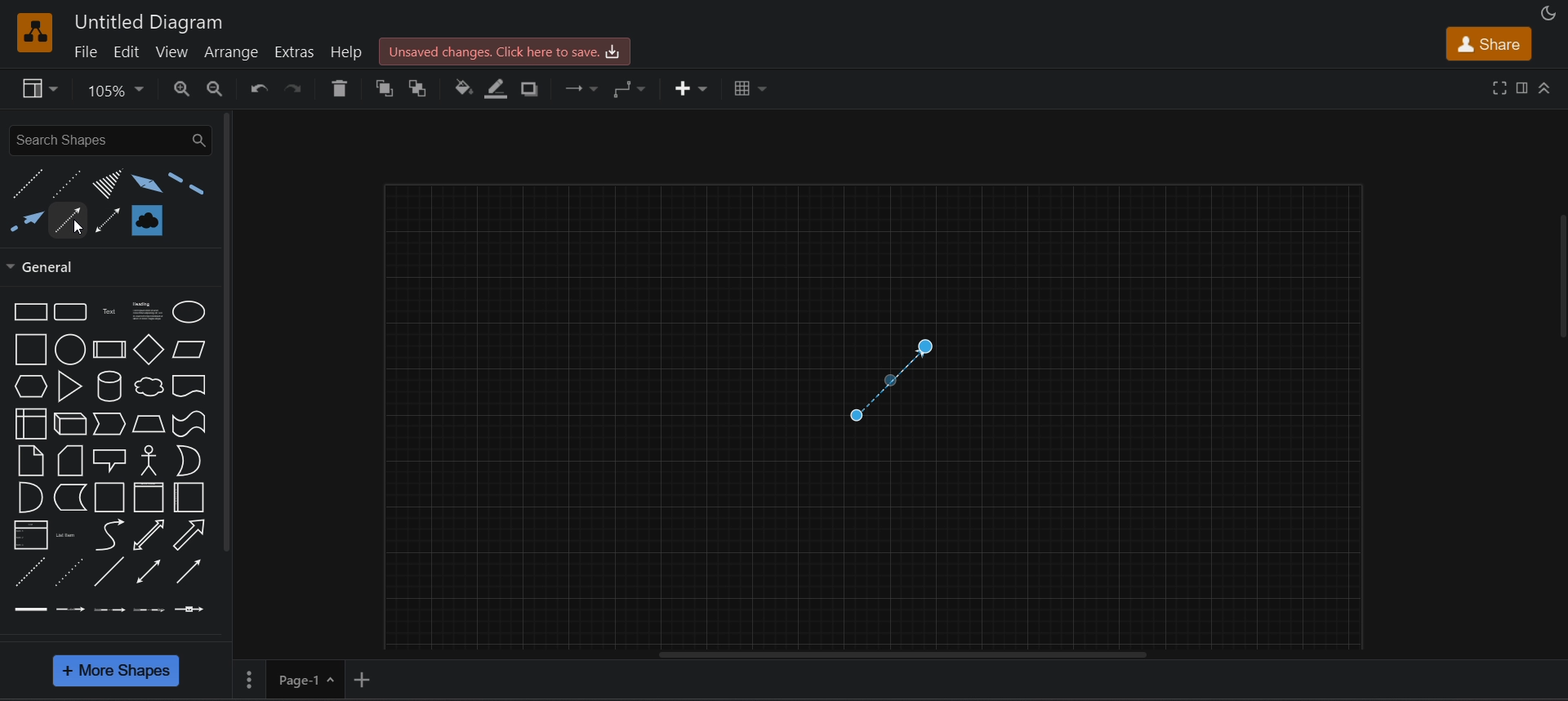 The height and width of the screenshot is (701, 1568). What do you see at coordinates (147, 573) in the screenshot?
I see `bidirectional connector ` at bounding box center [147, 573].